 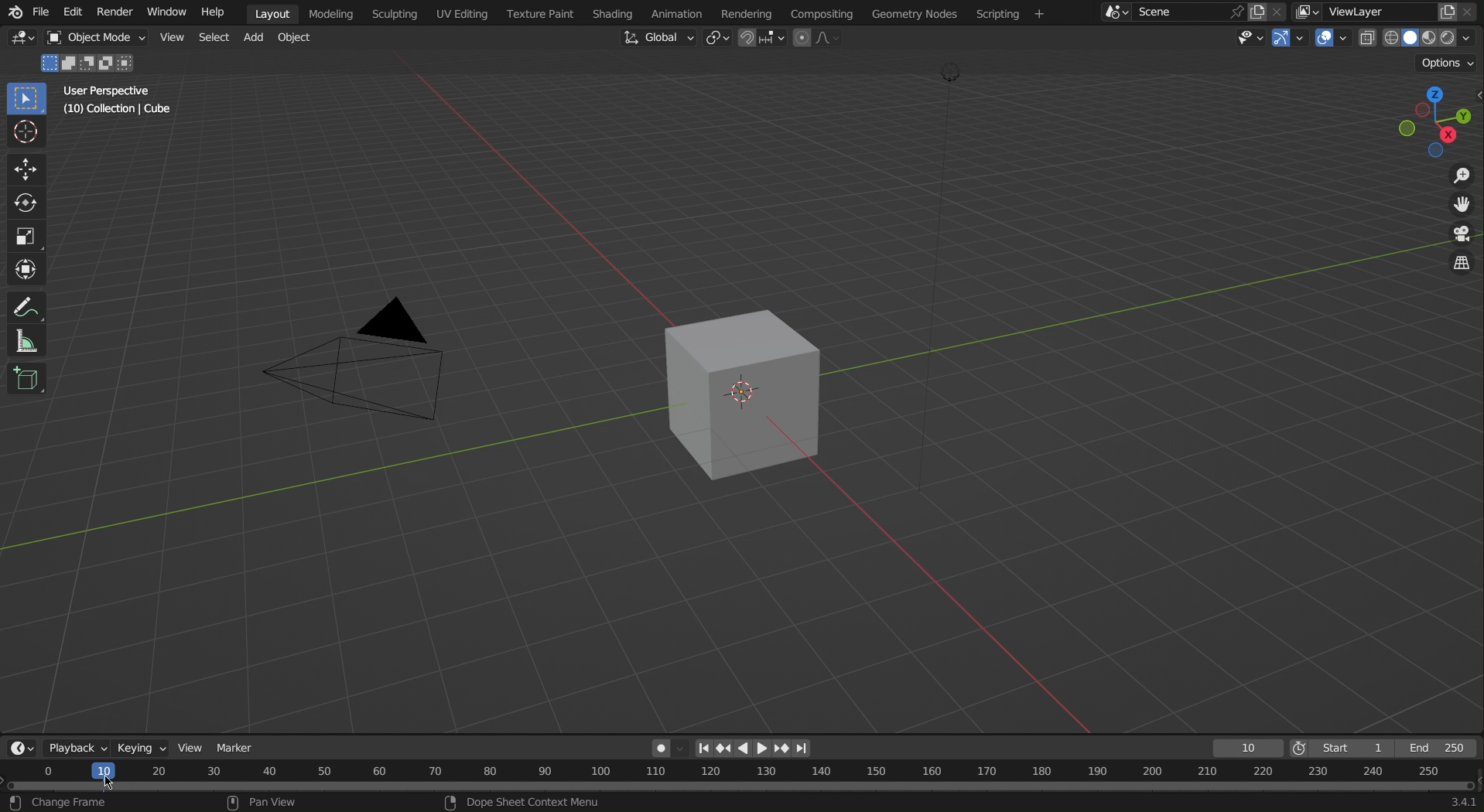 What do you see at coordinates (298, 39) in the screenshot?
I see `Object` at bounding box center [298, 39].